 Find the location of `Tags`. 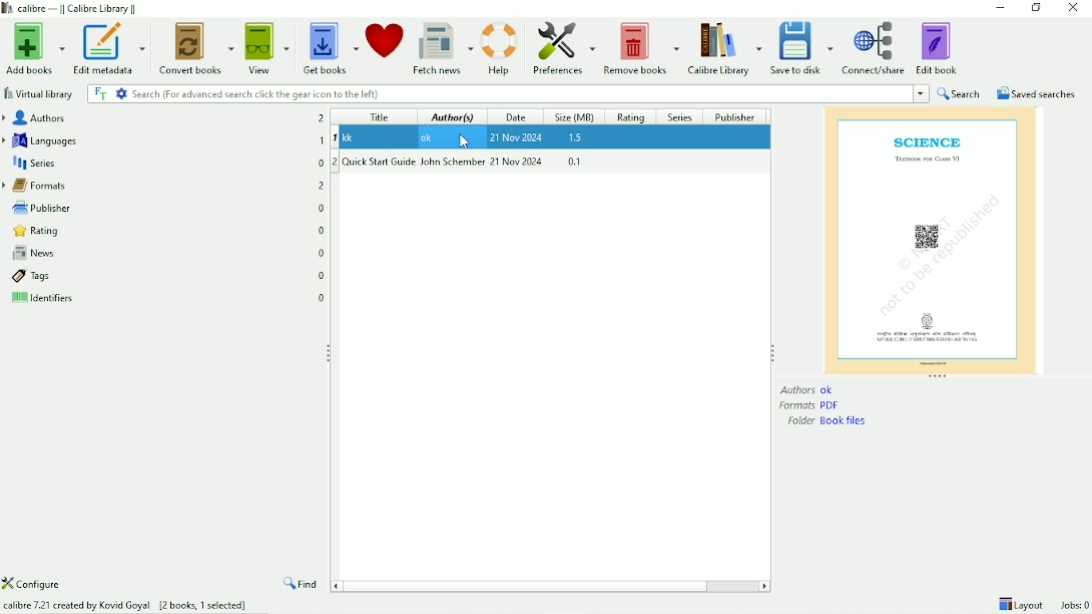

Tags is located at coordinates (167, 276).